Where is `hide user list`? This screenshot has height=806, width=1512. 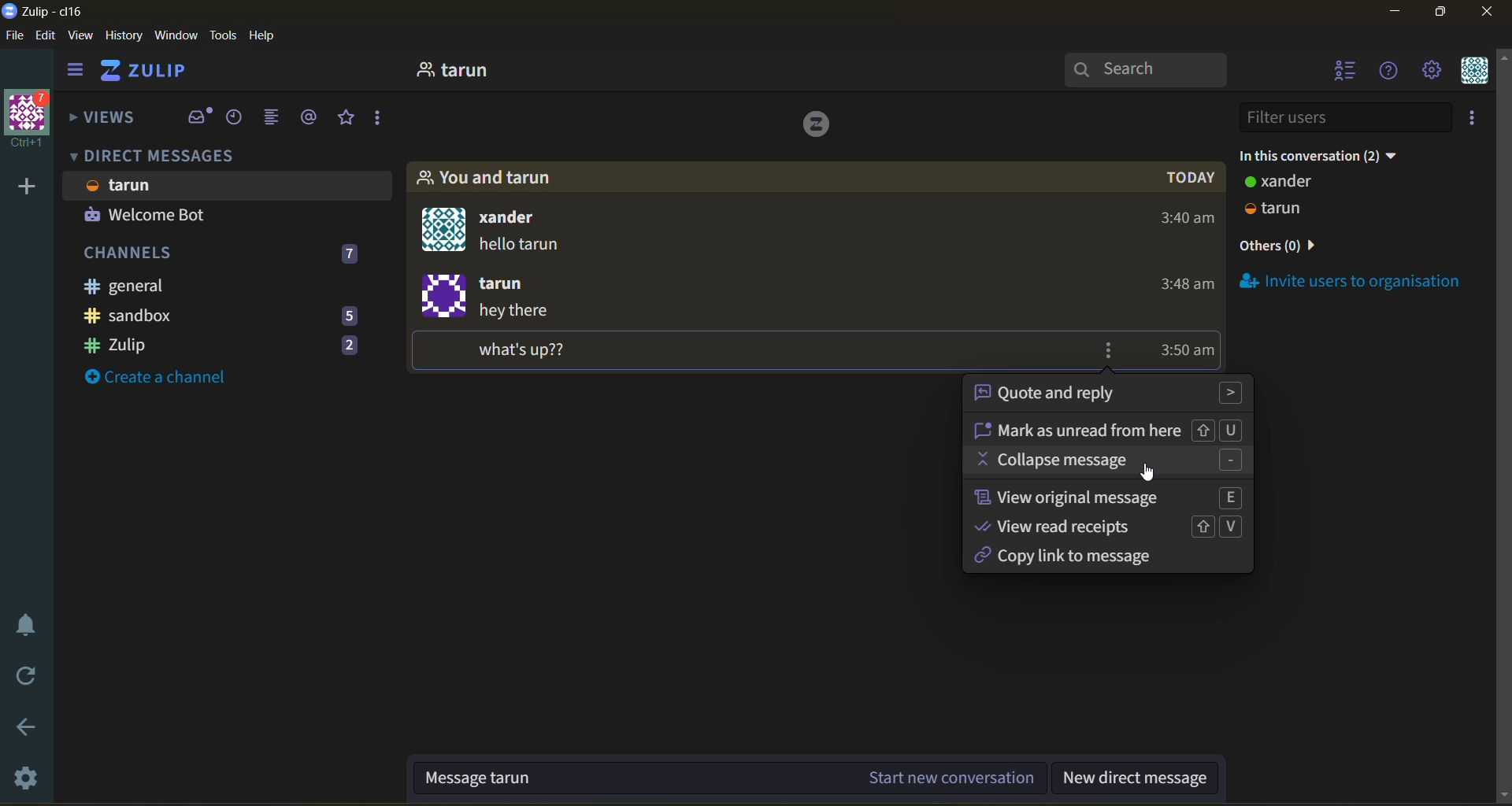 hide user list is located at coordinates (1342, 72).